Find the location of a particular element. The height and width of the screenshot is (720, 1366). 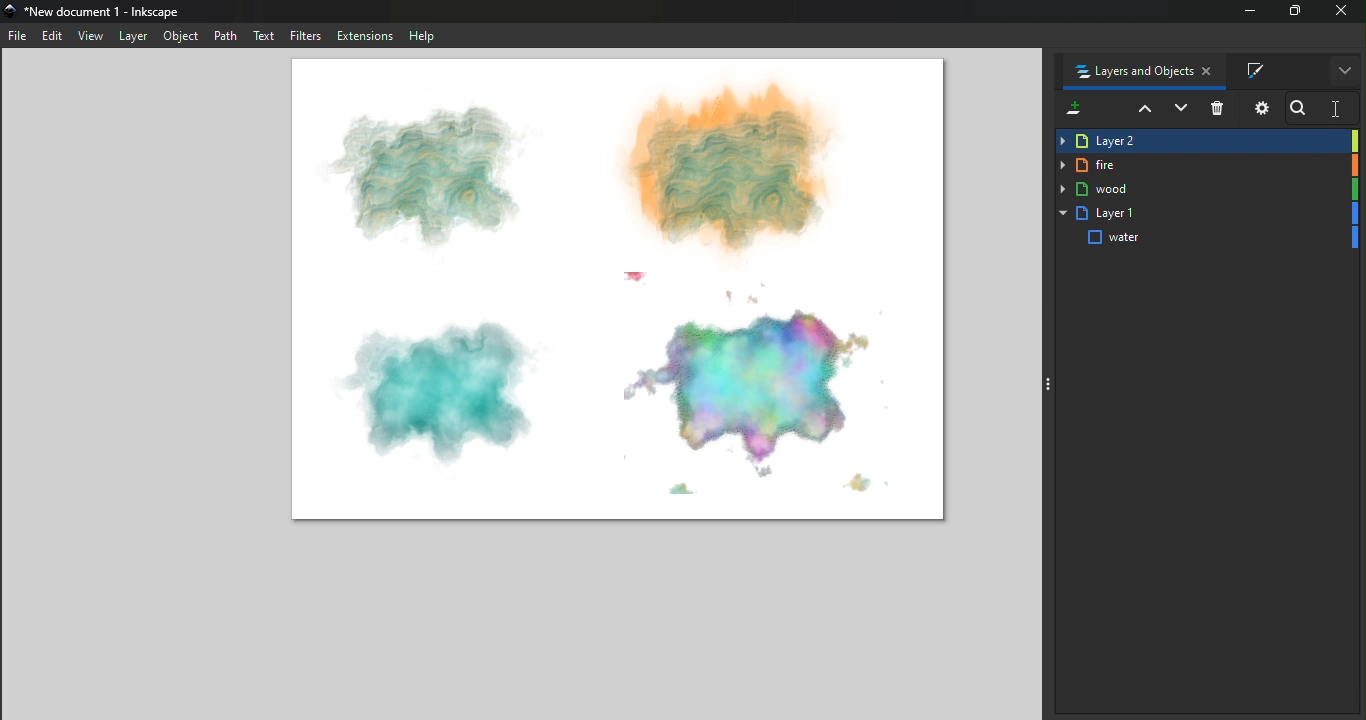

File is located at coordinates (19, 36).